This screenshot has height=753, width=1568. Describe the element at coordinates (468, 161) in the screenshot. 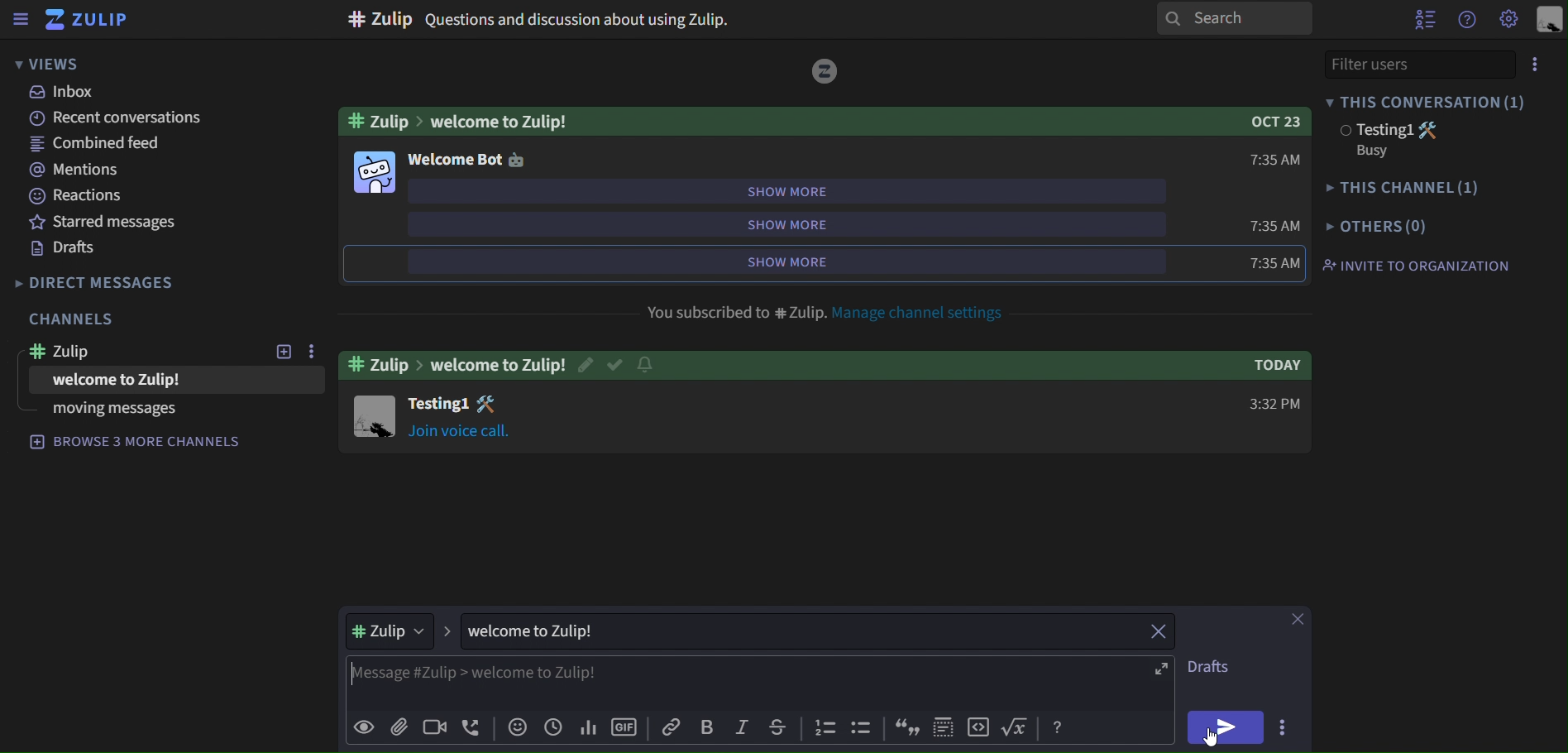

I see `welcome bot` at that location.